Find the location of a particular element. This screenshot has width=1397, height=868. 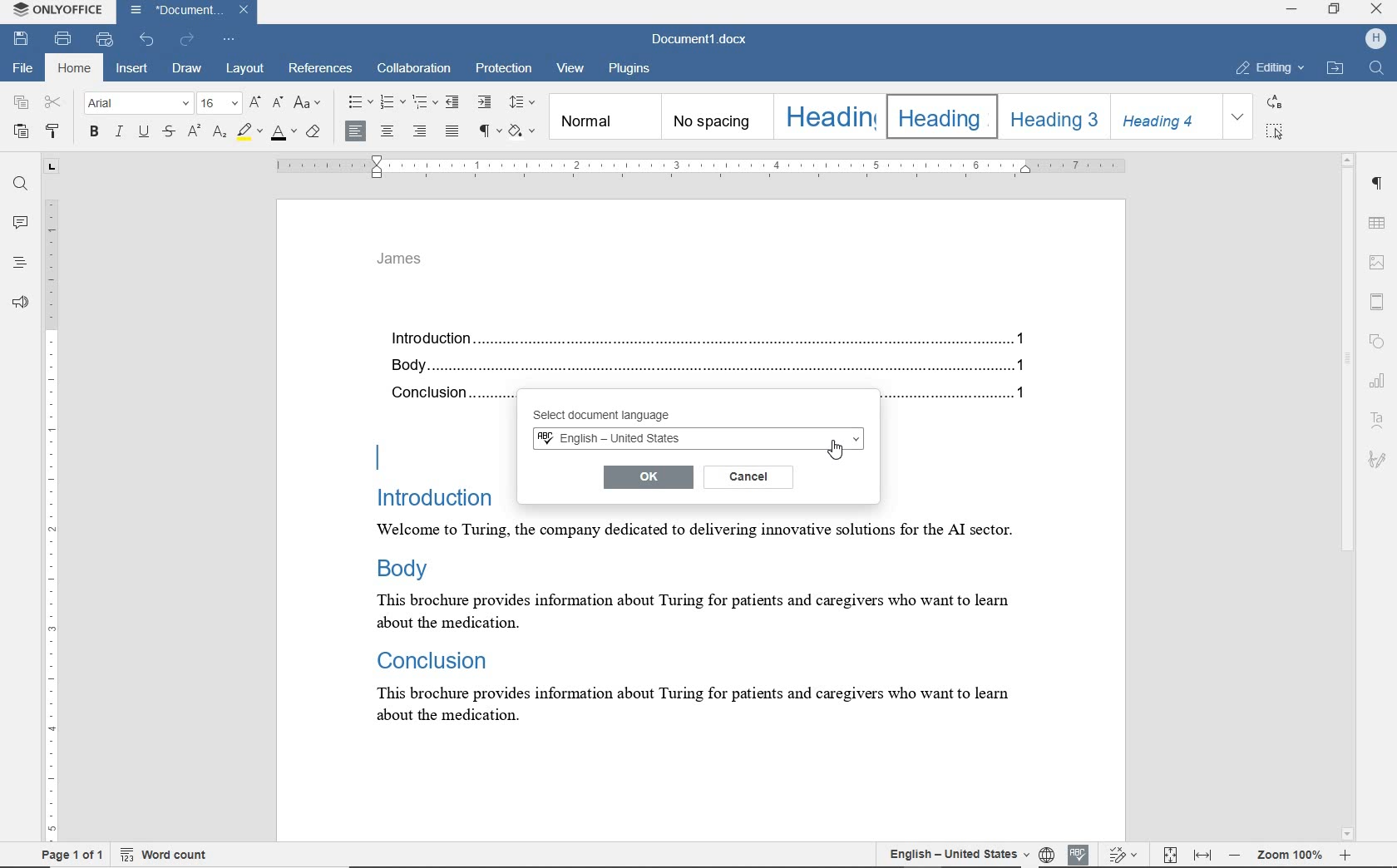

conclusion is located at coordinates (448, 394).